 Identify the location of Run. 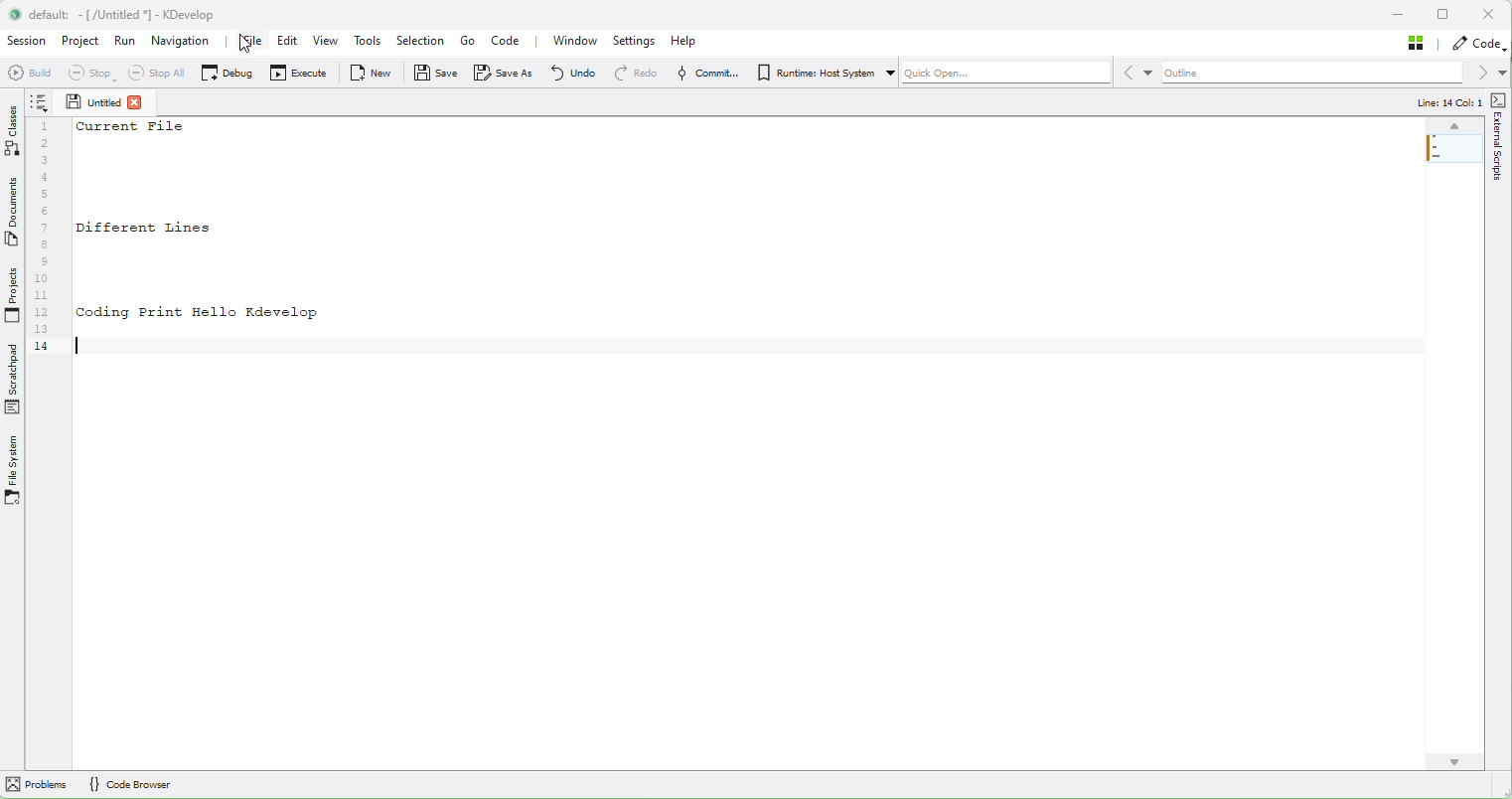
(126, 40).